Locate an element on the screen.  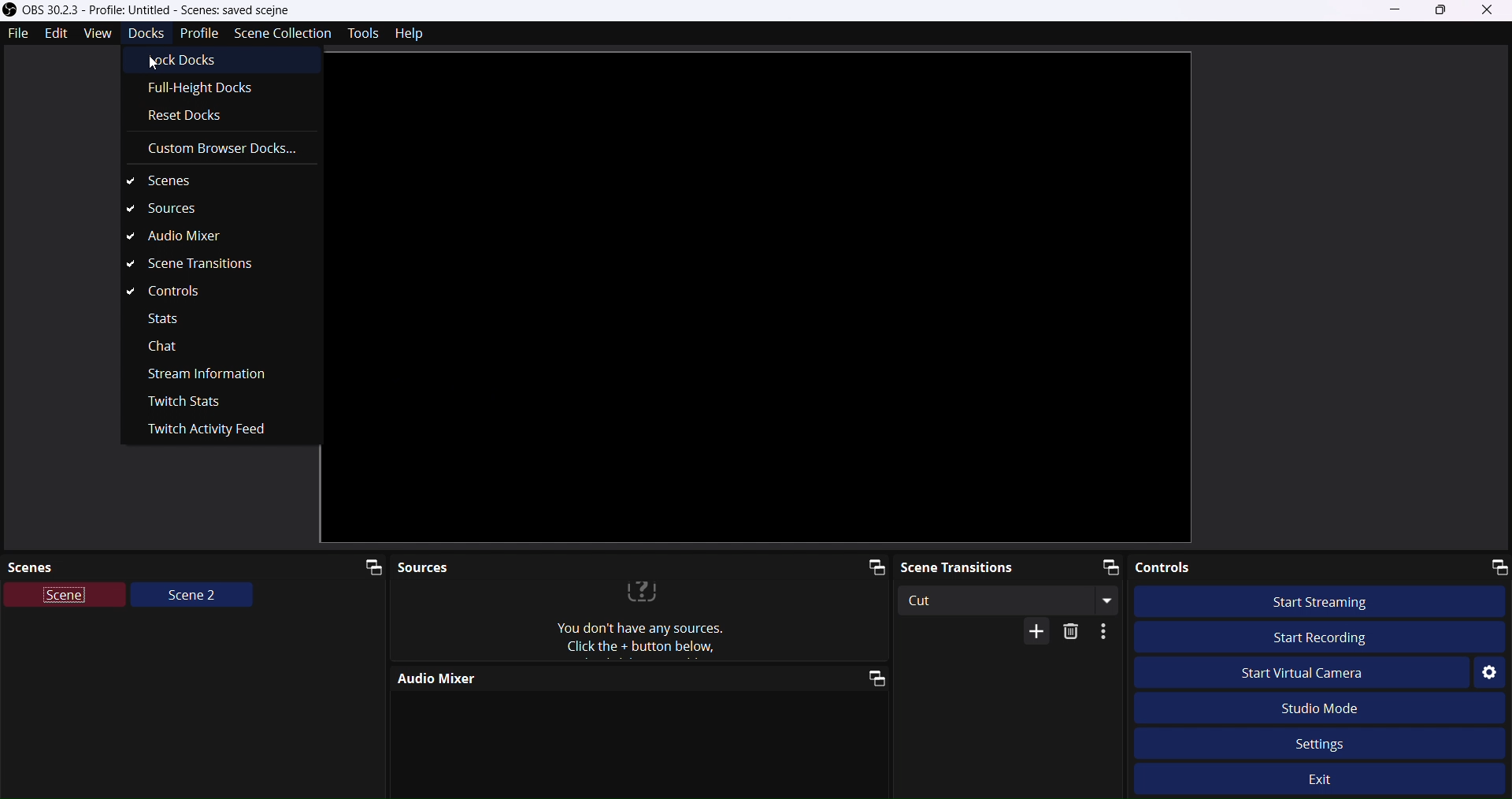
Lock Docks is located at coordinates (196, 62).